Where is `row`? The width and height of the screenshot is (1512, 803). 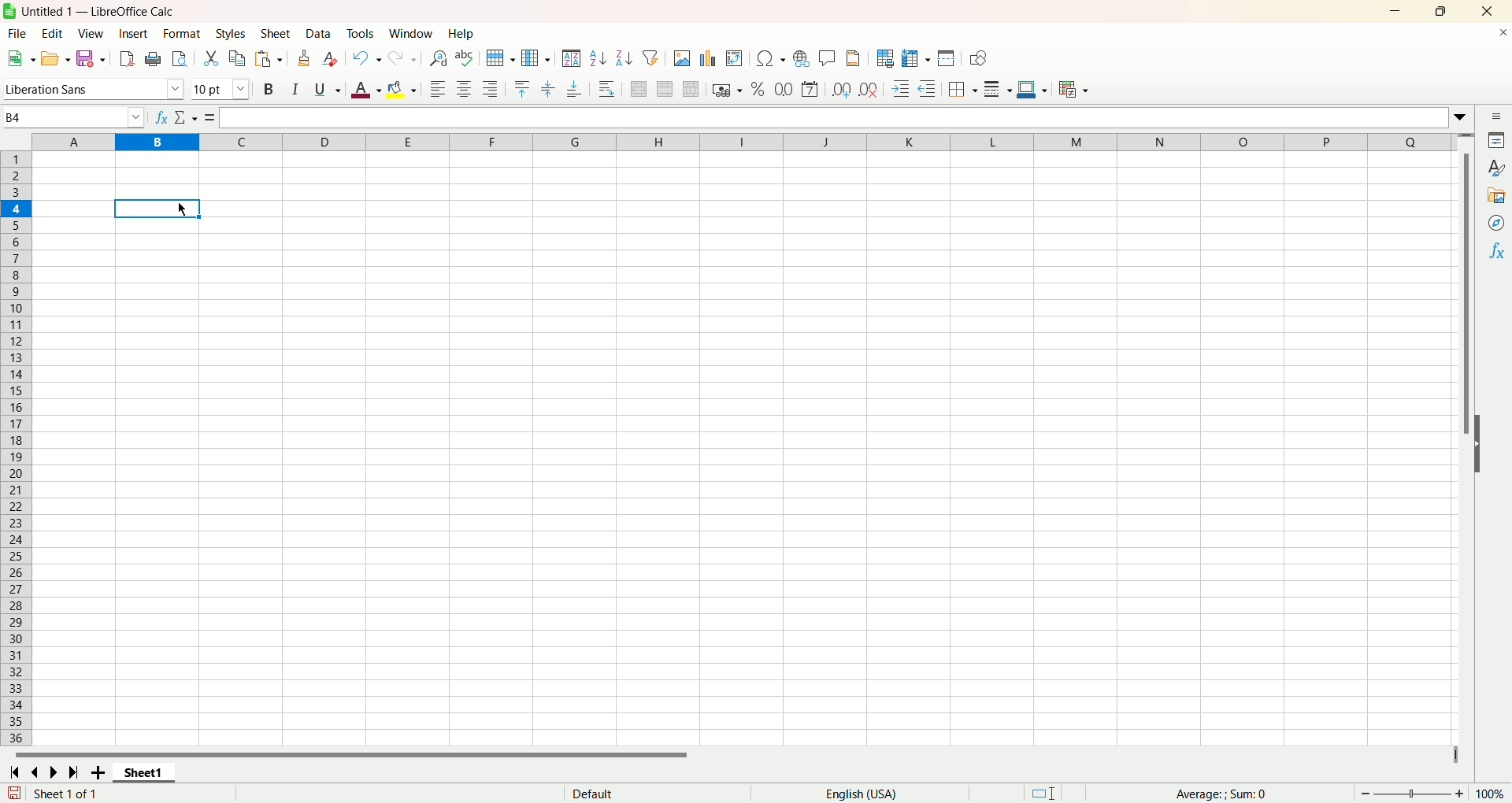
row is located at coordinates (498, 57).